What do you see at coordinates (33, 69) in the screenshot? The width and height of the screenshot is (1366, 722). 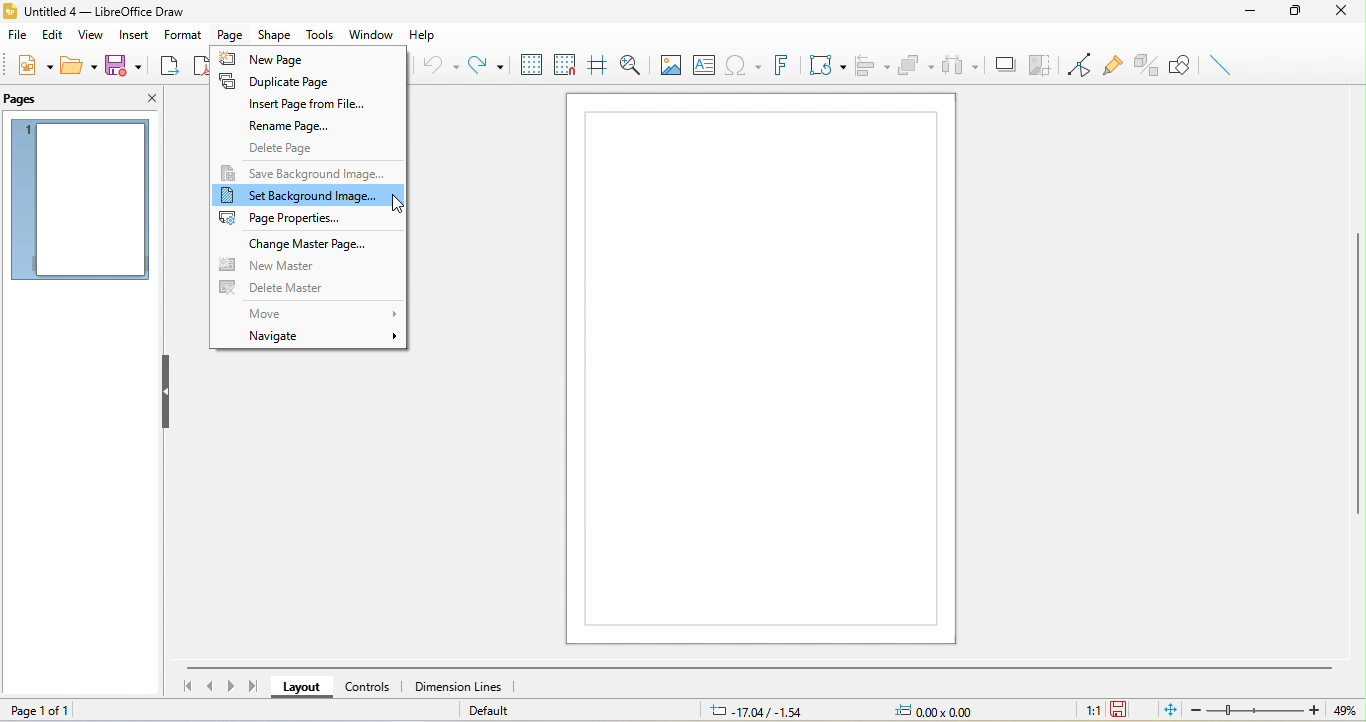 I see `new` at bounding box center [33, 69].